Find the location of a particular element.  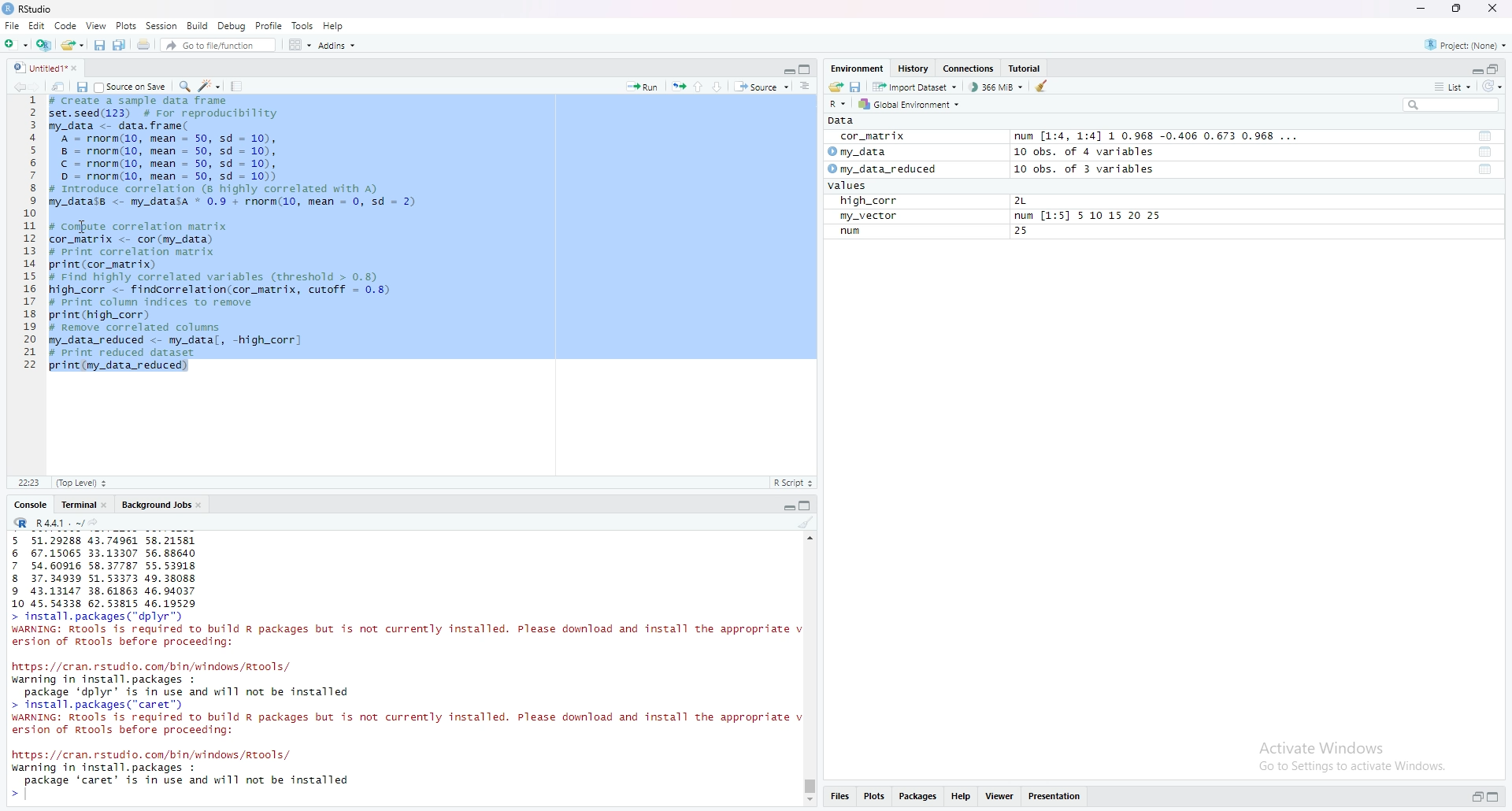

Viewer is located at coordinates (1001, 795).